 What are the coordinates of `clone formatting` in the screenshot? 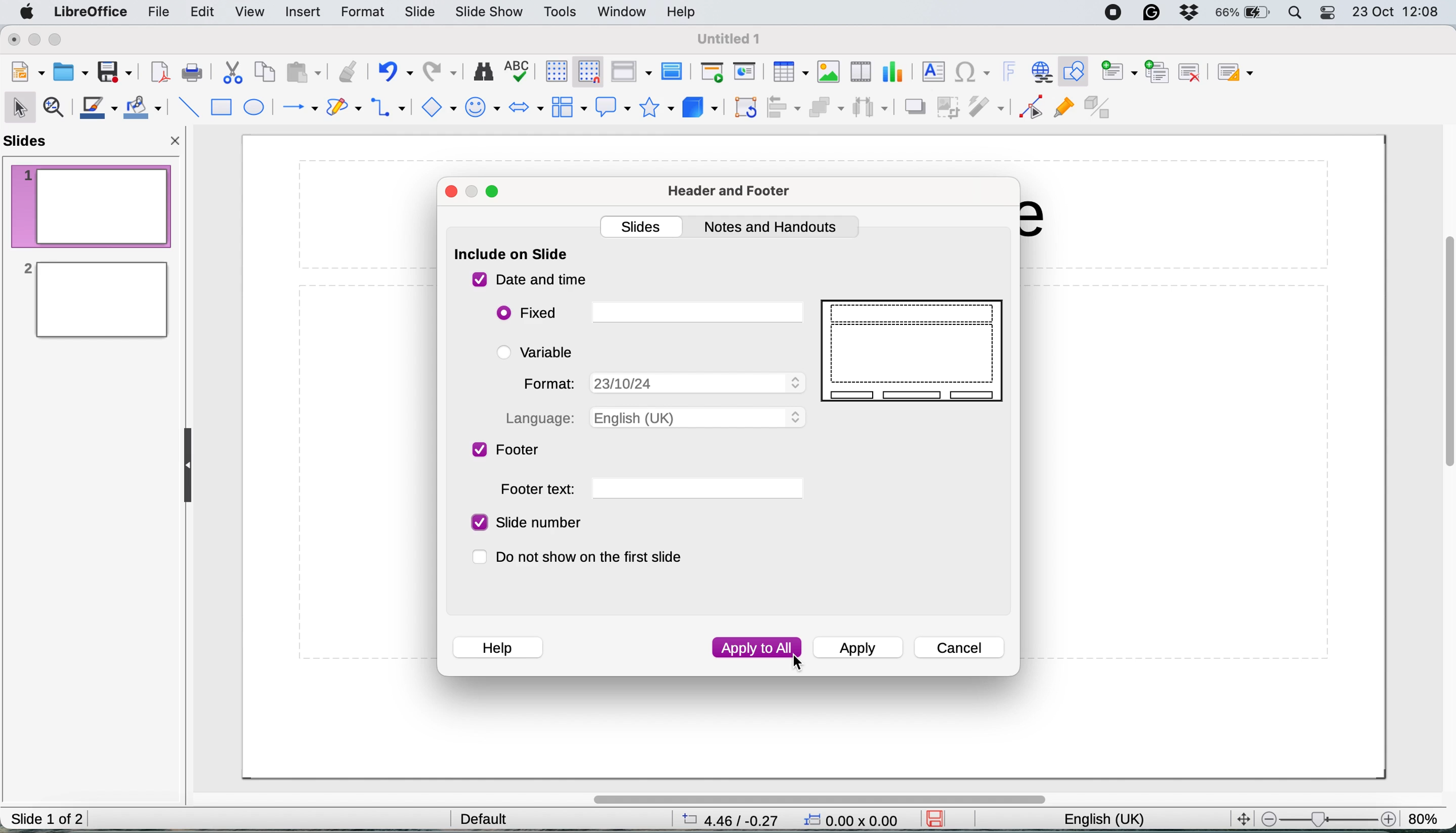 It's located at (346, 72).